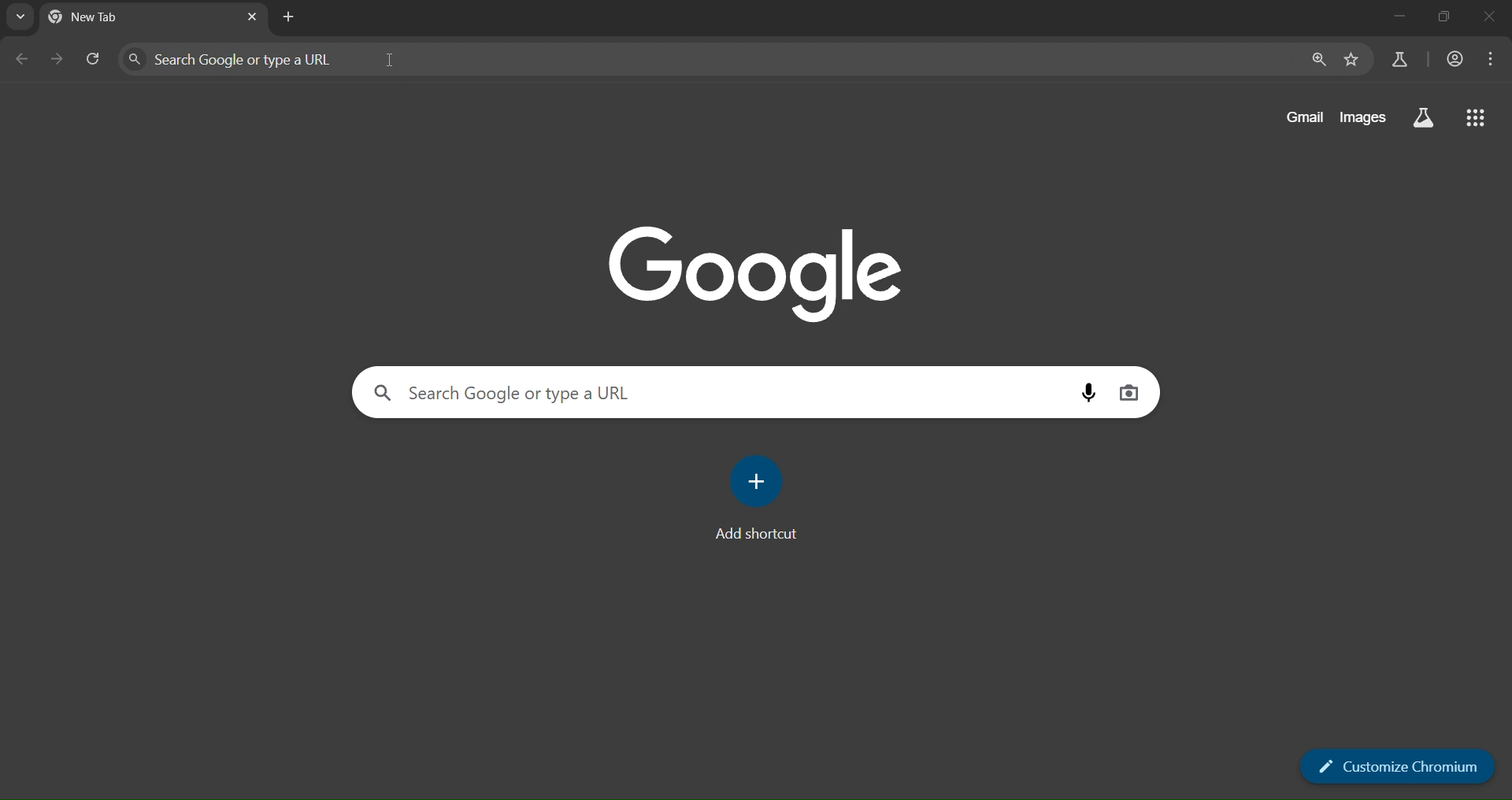  Describe the element at coordinates (1479, 120) in the screenshot. I see `google apps` at that location.